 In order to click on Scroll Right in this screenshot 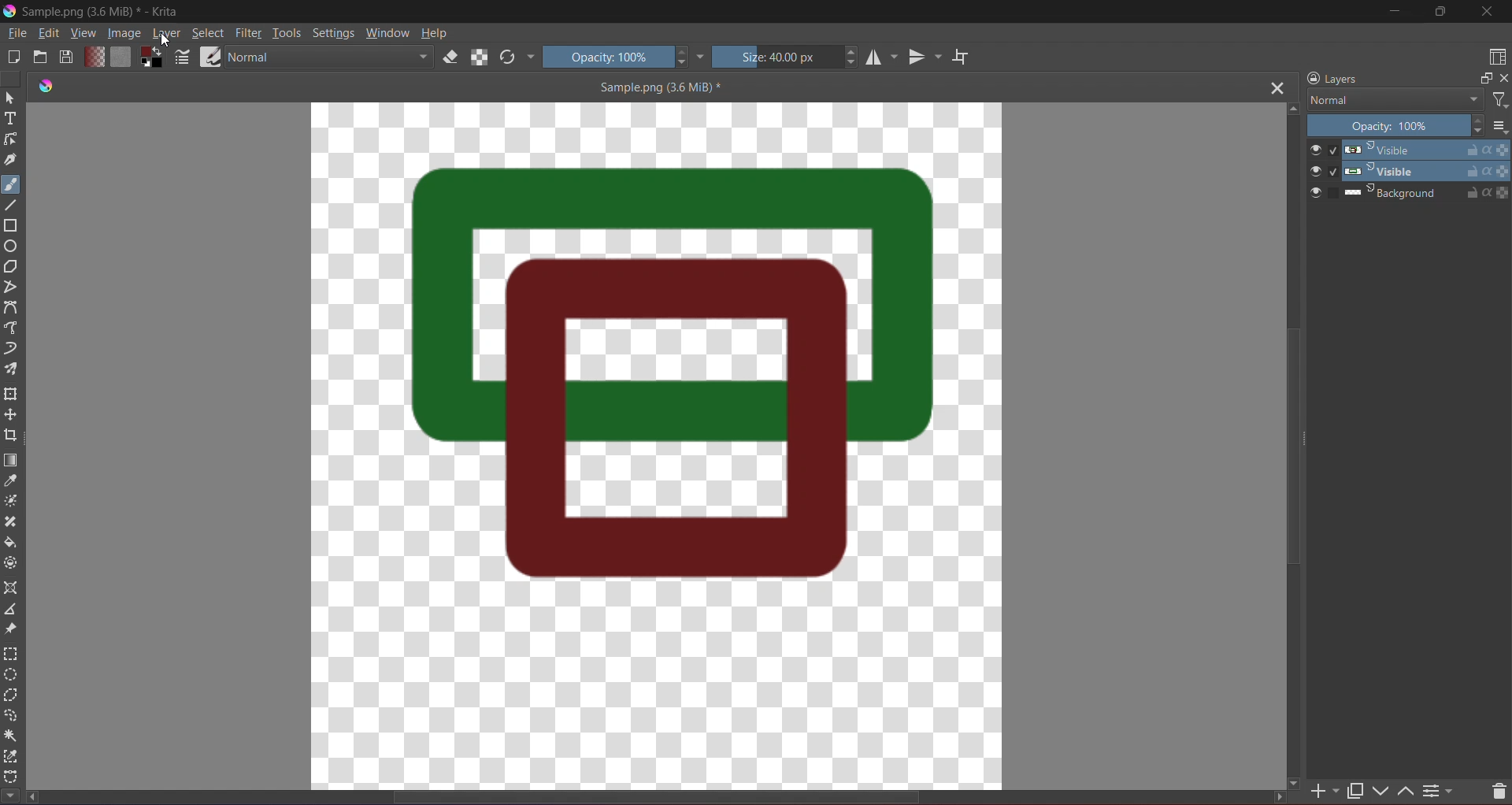, I will do `click(1277, 796)`.